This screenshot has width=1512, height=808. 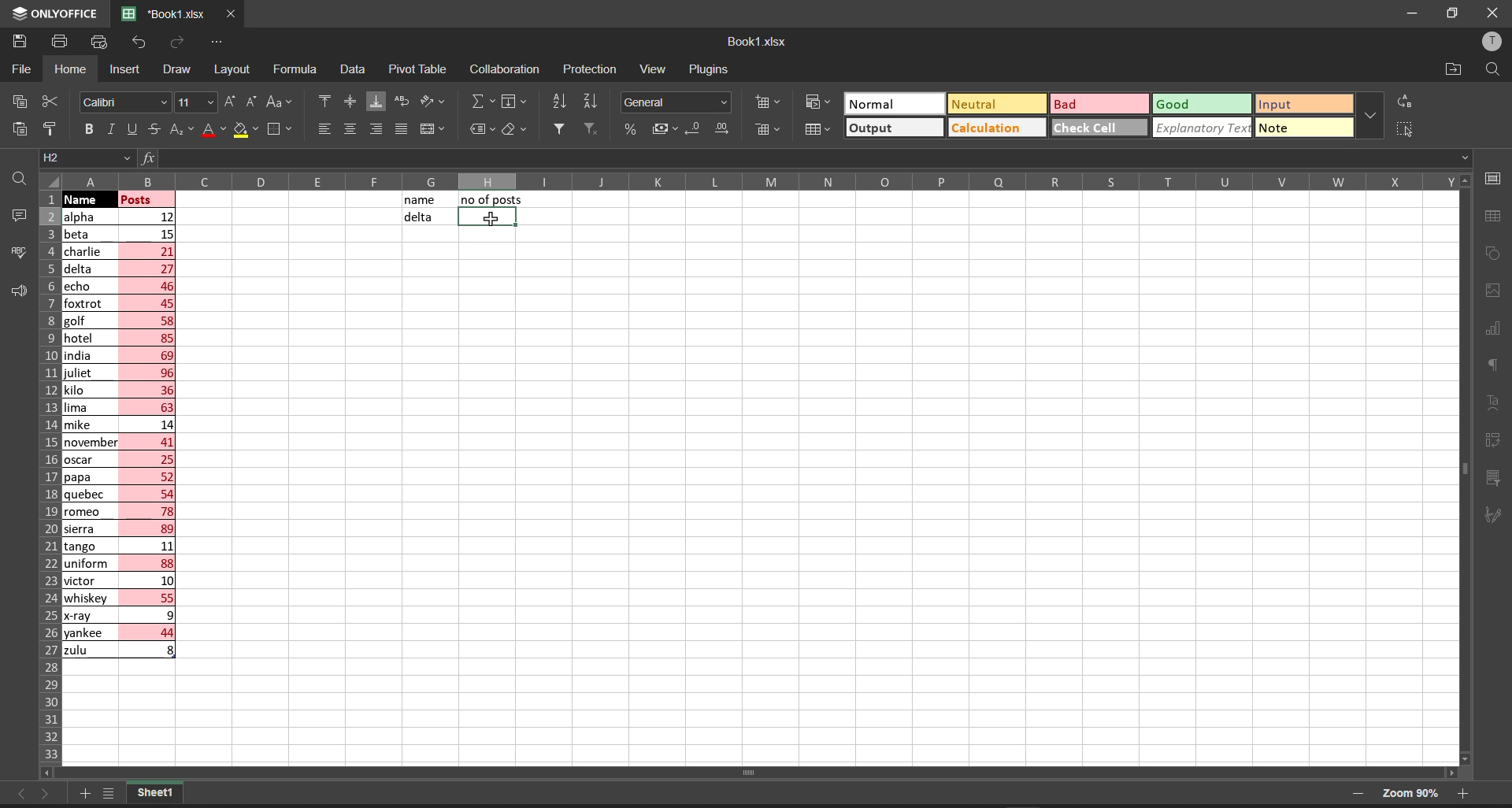 I want to click on fill color, so click(x=247, y=131).